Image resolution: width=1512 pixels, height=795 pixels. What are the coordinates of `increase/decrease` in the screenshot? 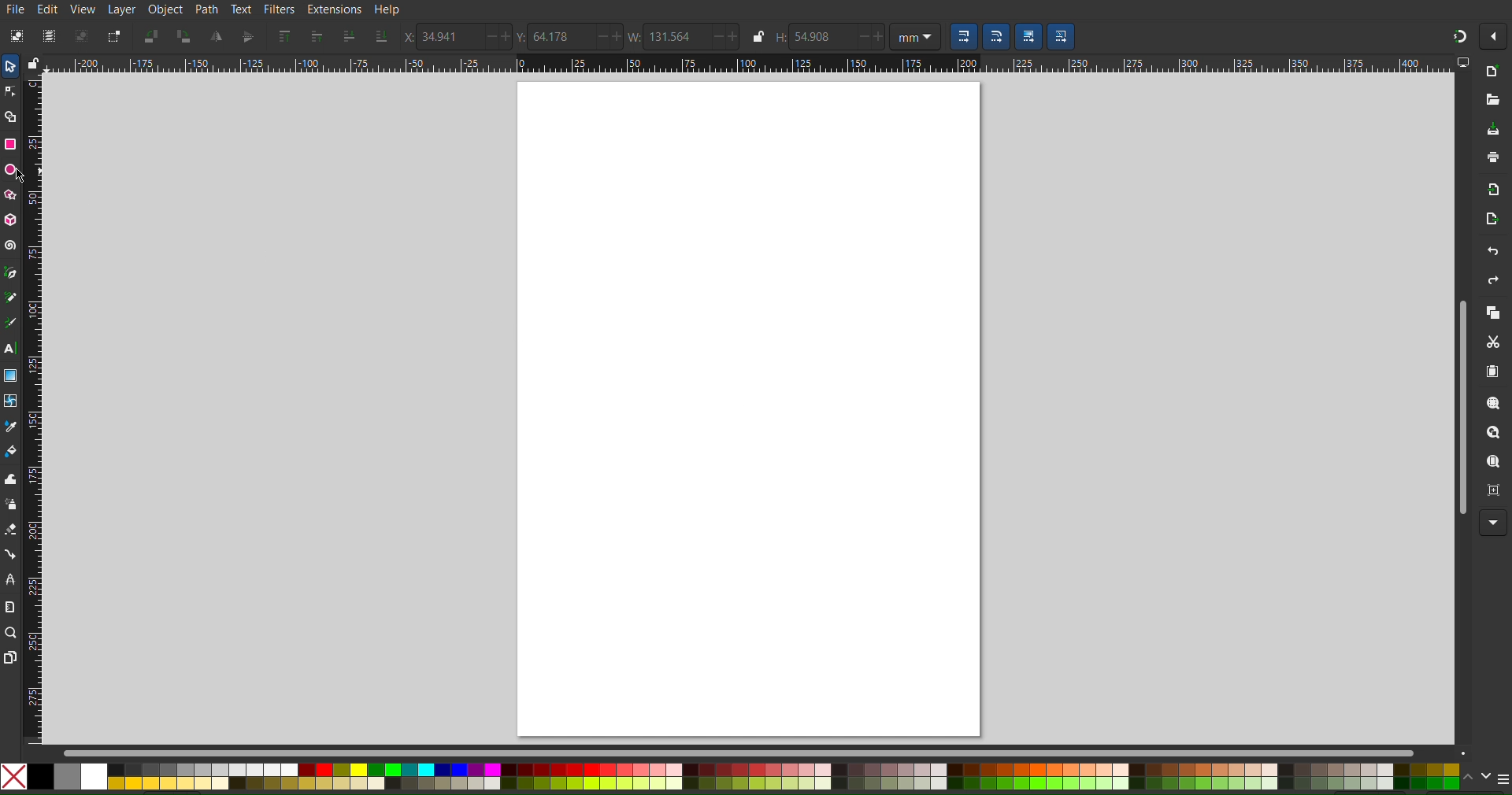 It's located at (607, 37).